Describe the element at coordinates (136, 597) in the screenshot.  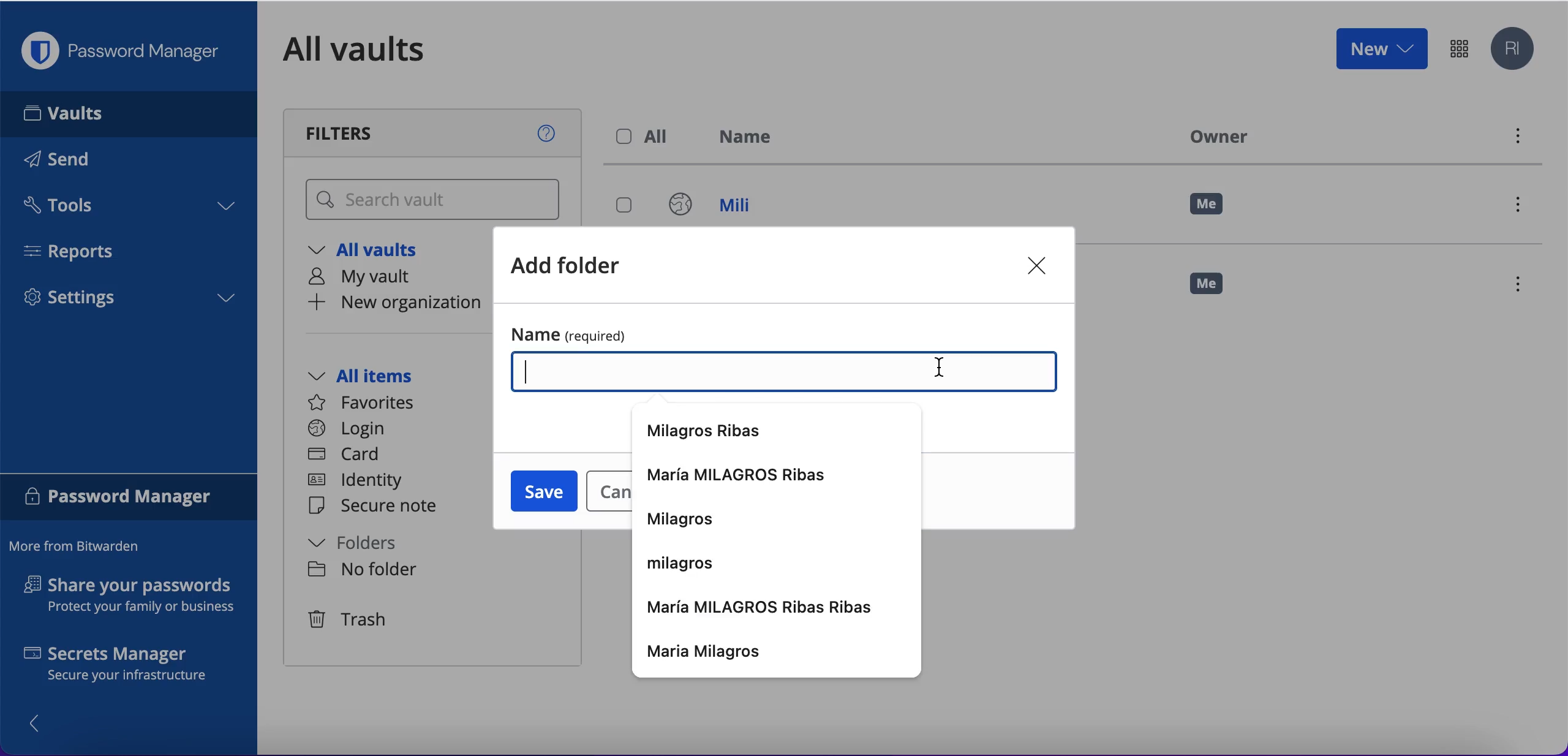
I see `share your passwords protect your family or business` at that location.